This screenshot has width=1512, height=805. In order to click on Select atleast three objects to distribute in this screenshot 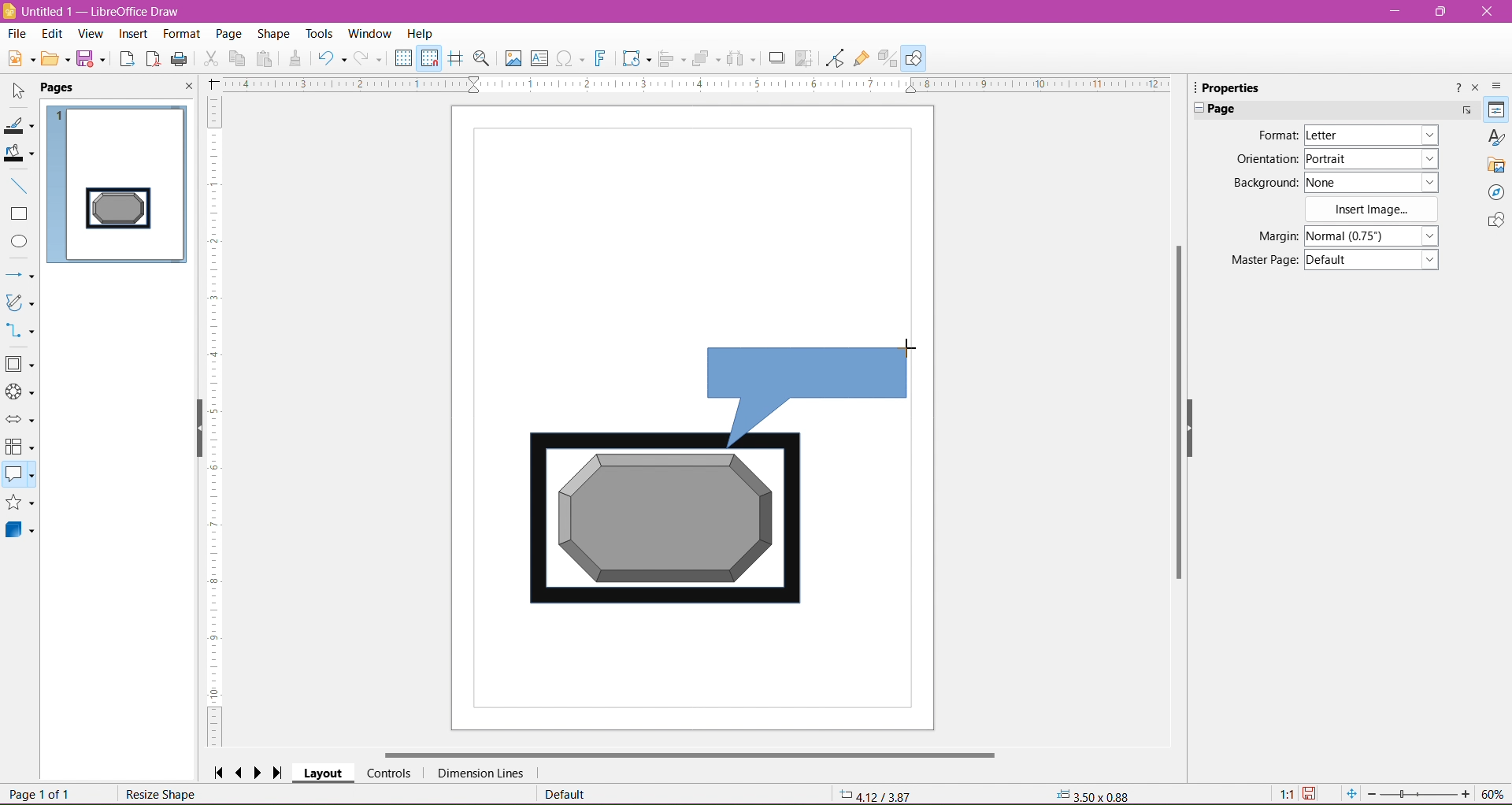, I will do `click(741, 58)`.